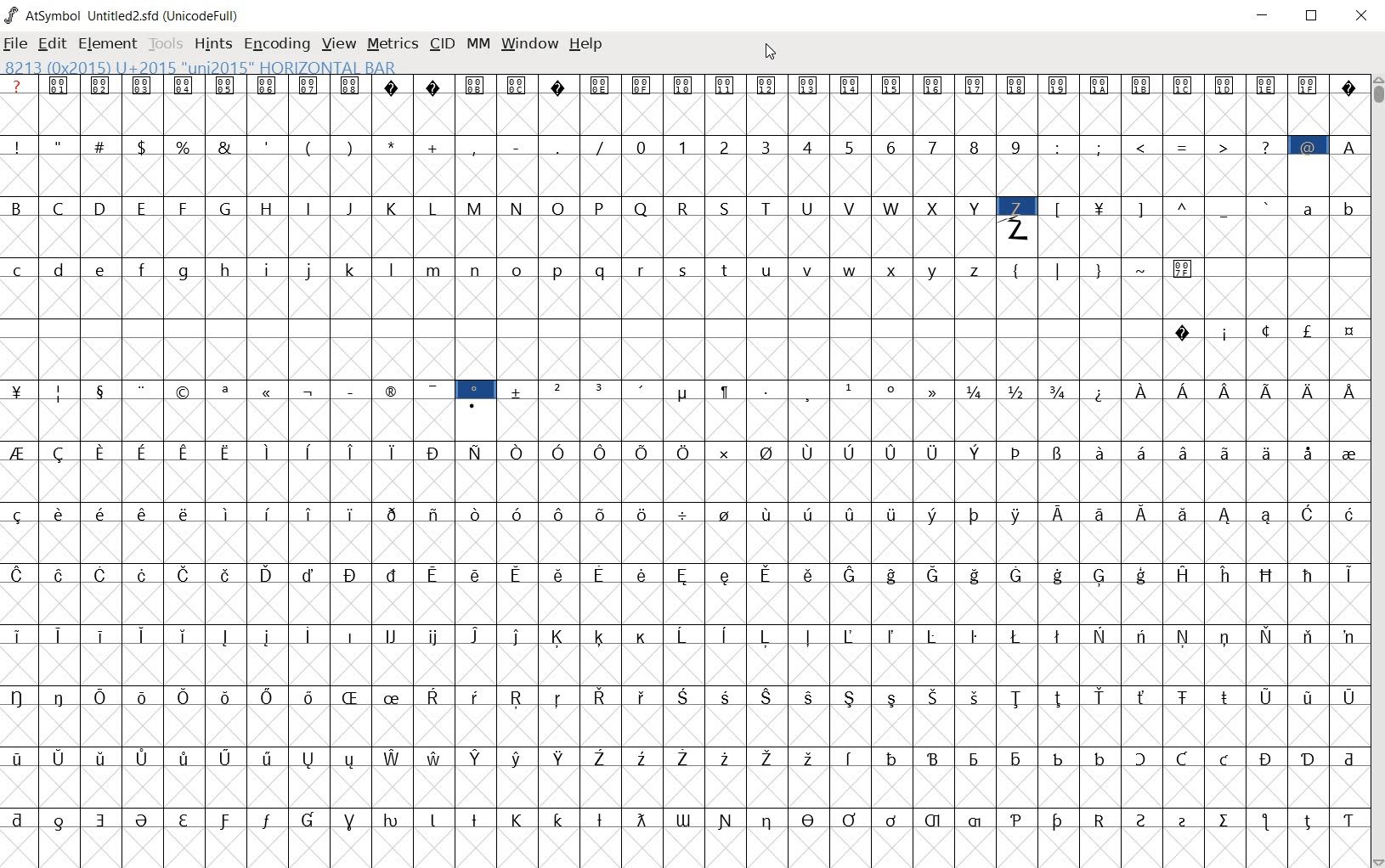  Describe the element at coordinates (395, 45) in the screenshot. I see `METRICS` at that location.